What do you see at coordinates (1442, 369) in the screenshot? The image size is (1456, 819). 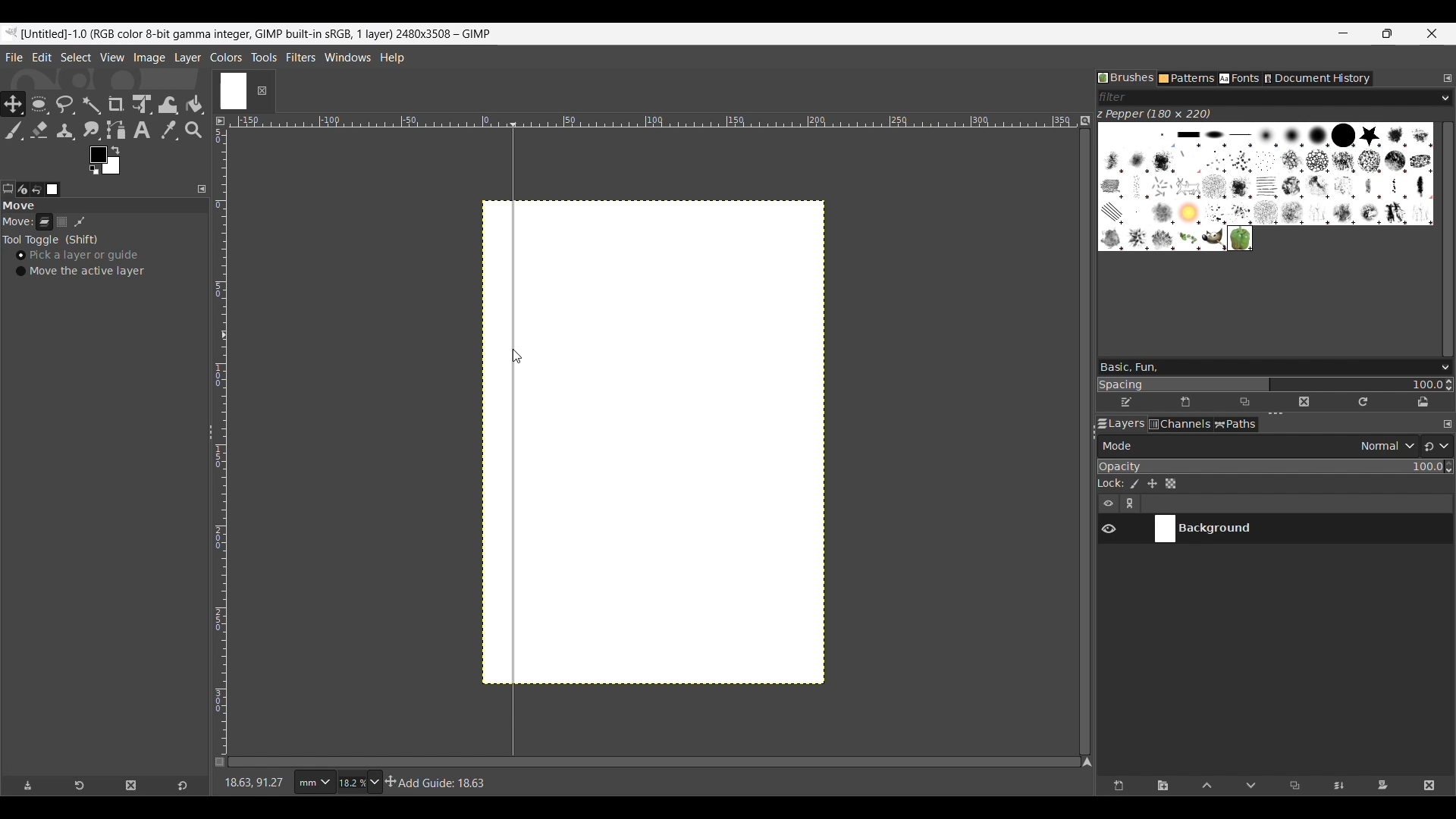 I see `Brush options` at bounding box center [1442, 369].